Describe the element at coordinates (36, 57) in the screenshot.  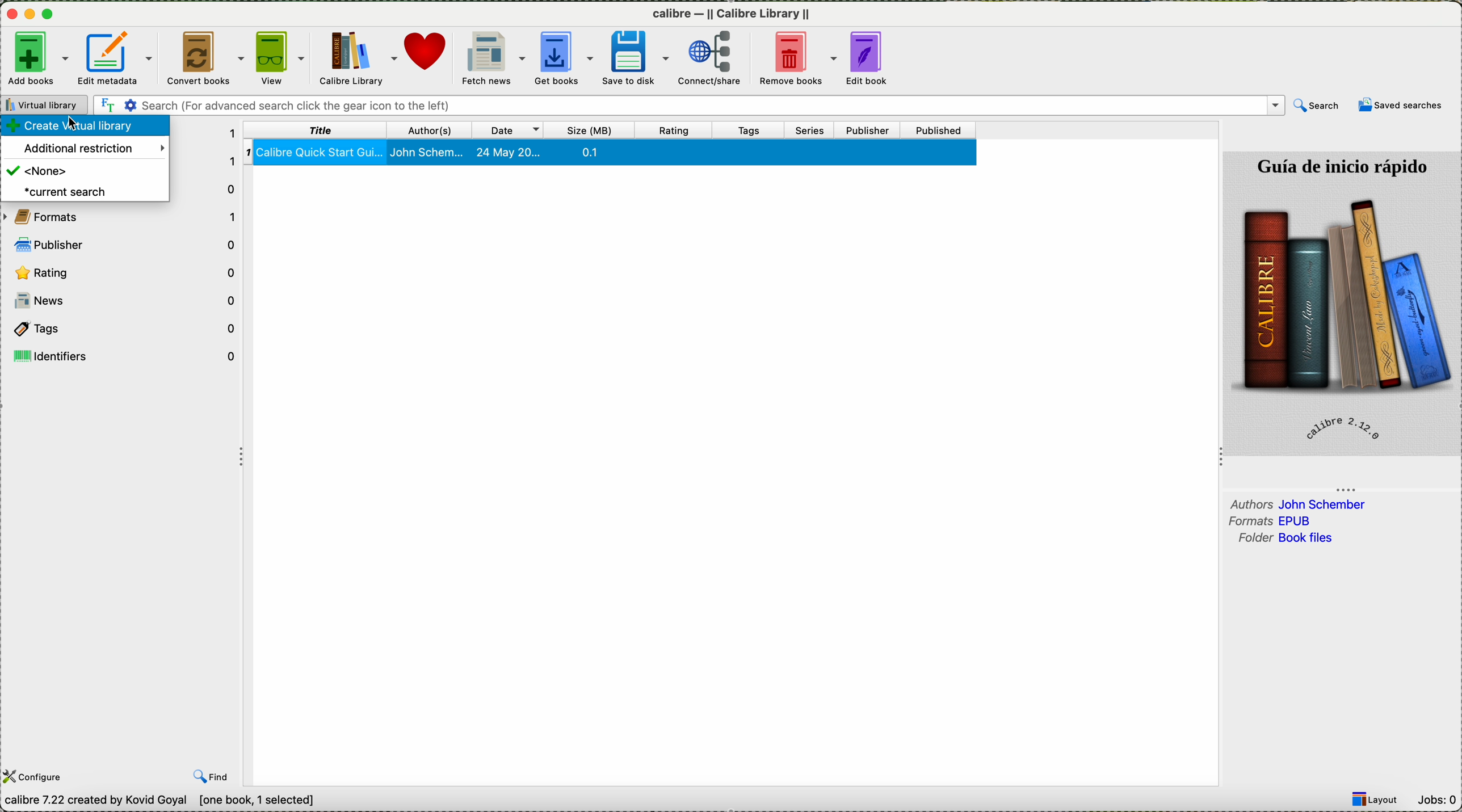
I see `add books` at that location.